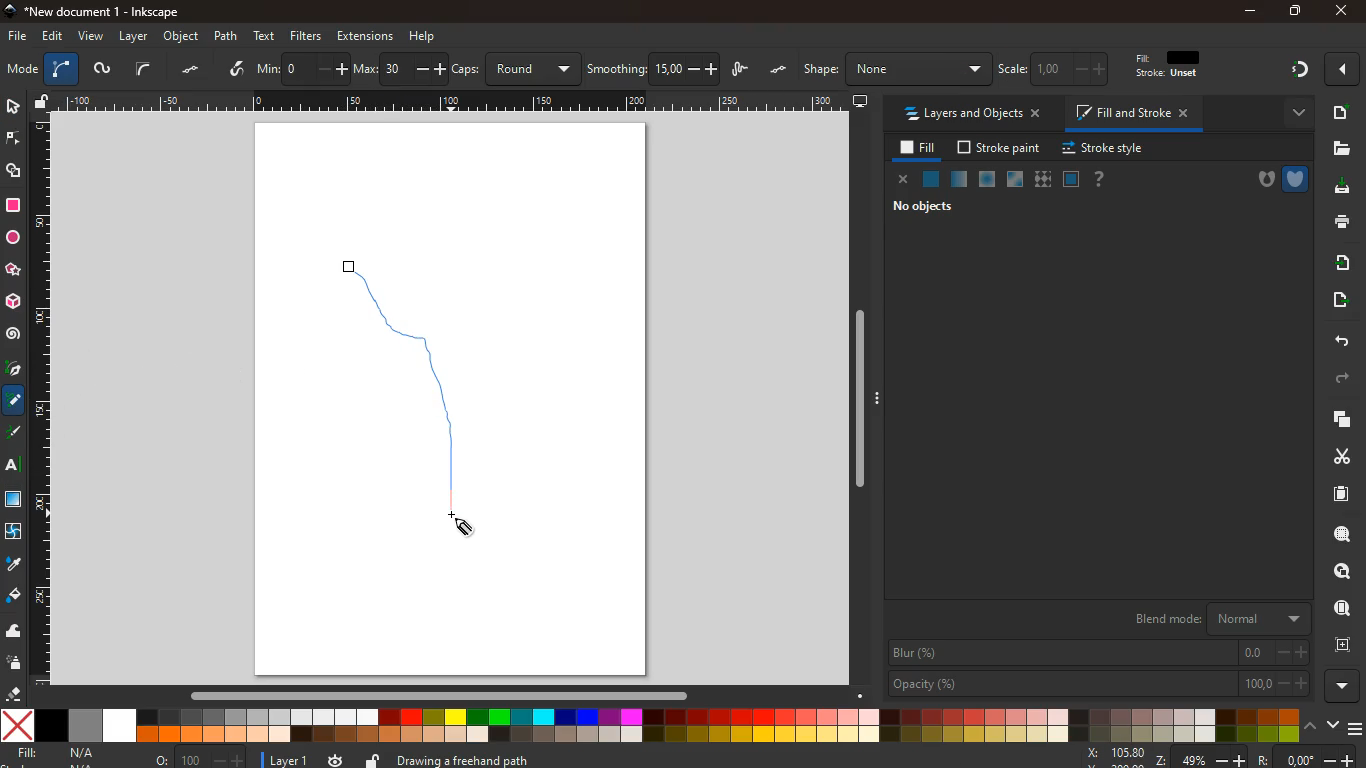 The height and width of the screenshot is (768, 1366). What do you see at coordinates (1346, 686) in the screenshot?
I see `more` at bounding box center [1346, 686].